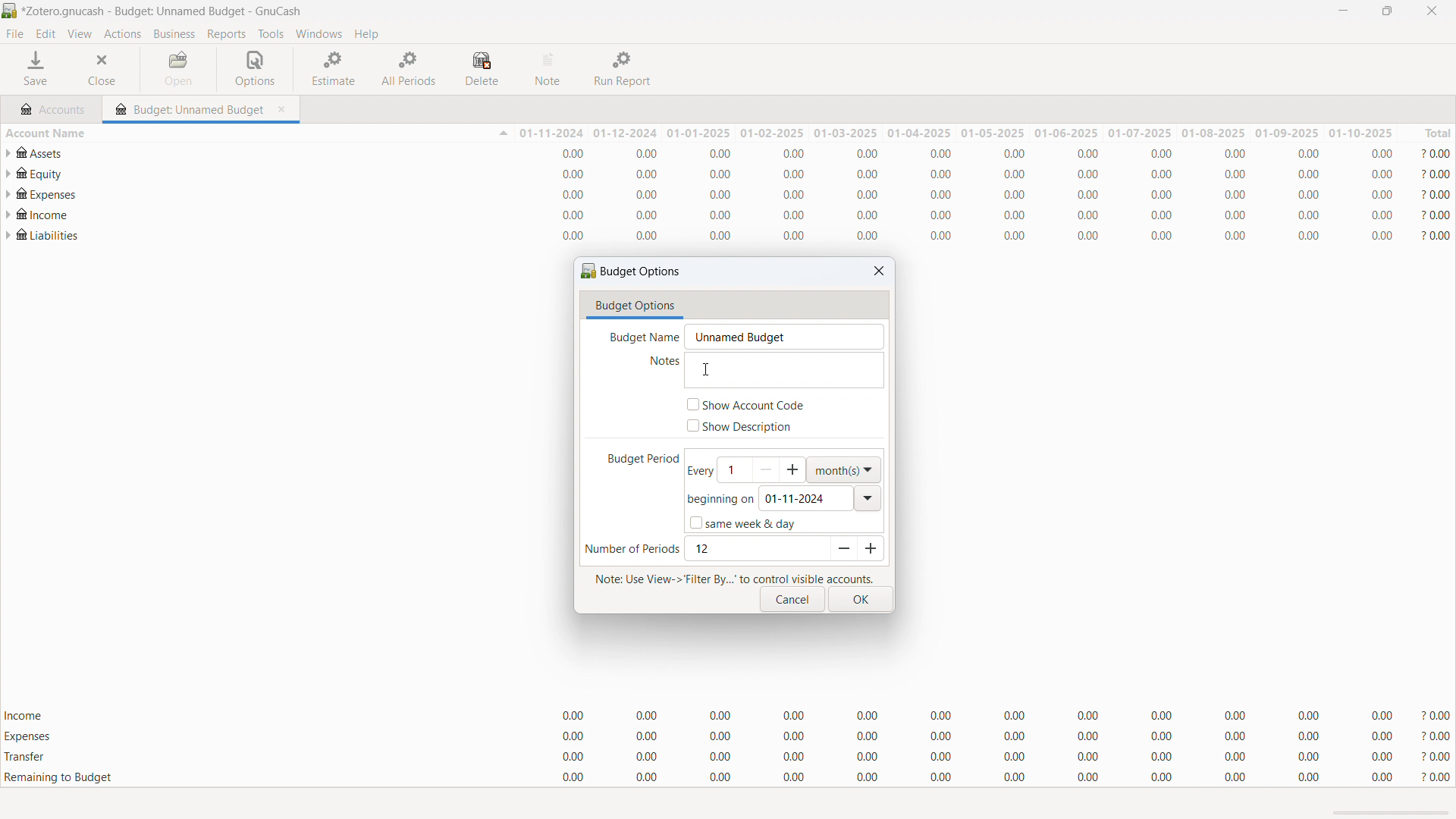 This screenshot has height=819, width=1456. I want to click on budget tab, so click(189, 105).